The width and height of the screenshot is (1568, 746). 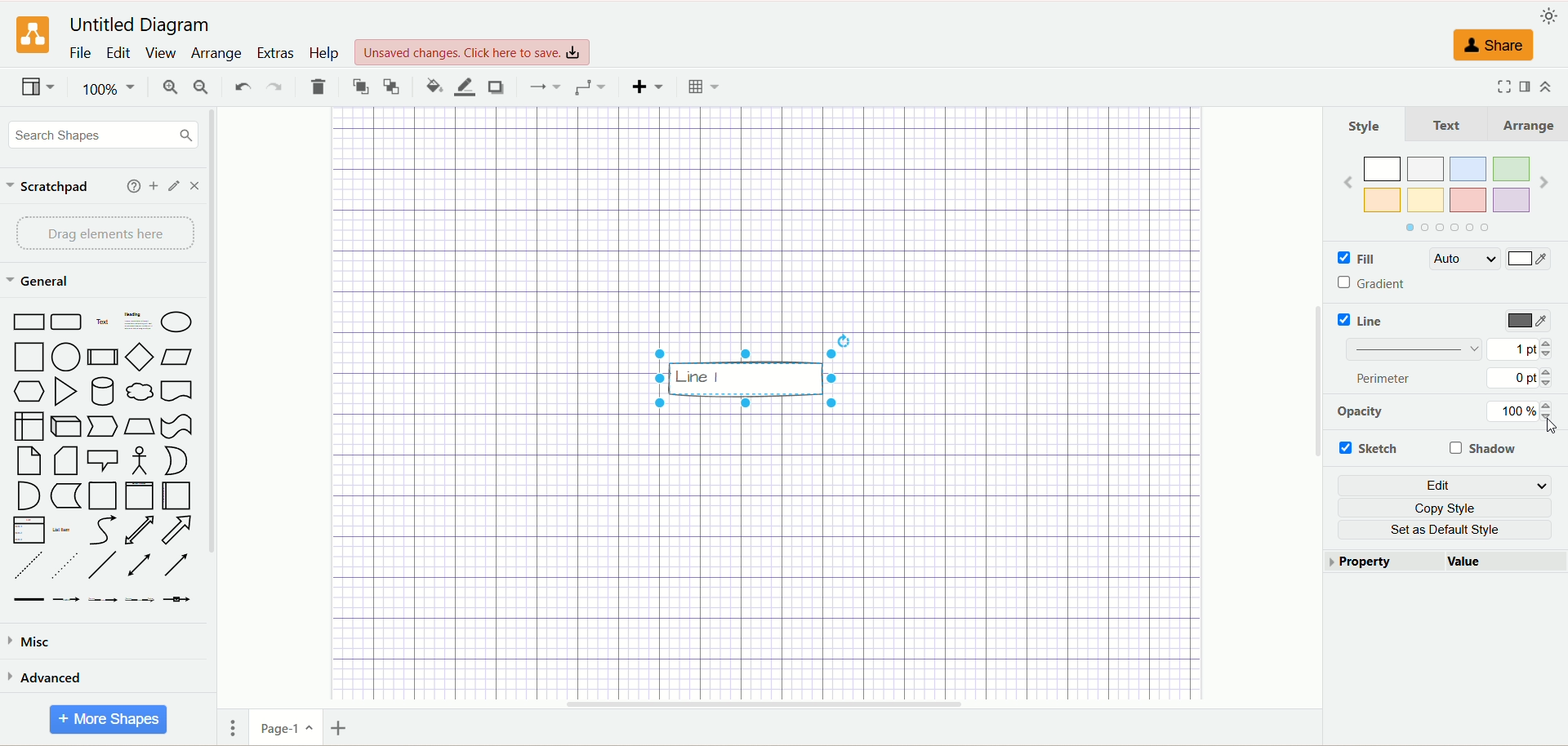 What do you see at coordinates (1525, 125) in the screenshot?
I see `Arrange` at bounding box center [1525, 125].